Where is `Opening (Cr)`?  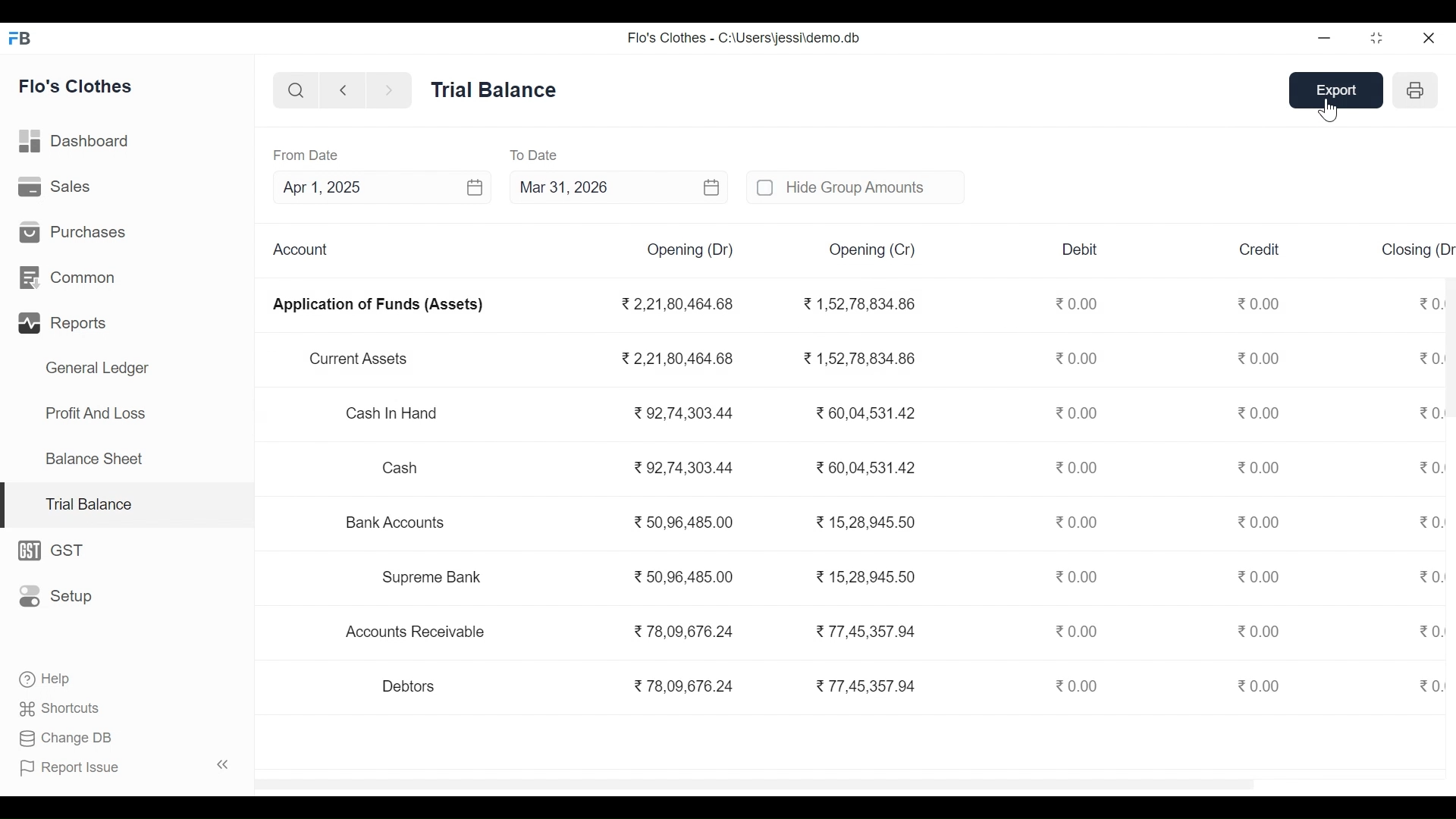 Opening (Cr) is located at coordinates (874, 250).